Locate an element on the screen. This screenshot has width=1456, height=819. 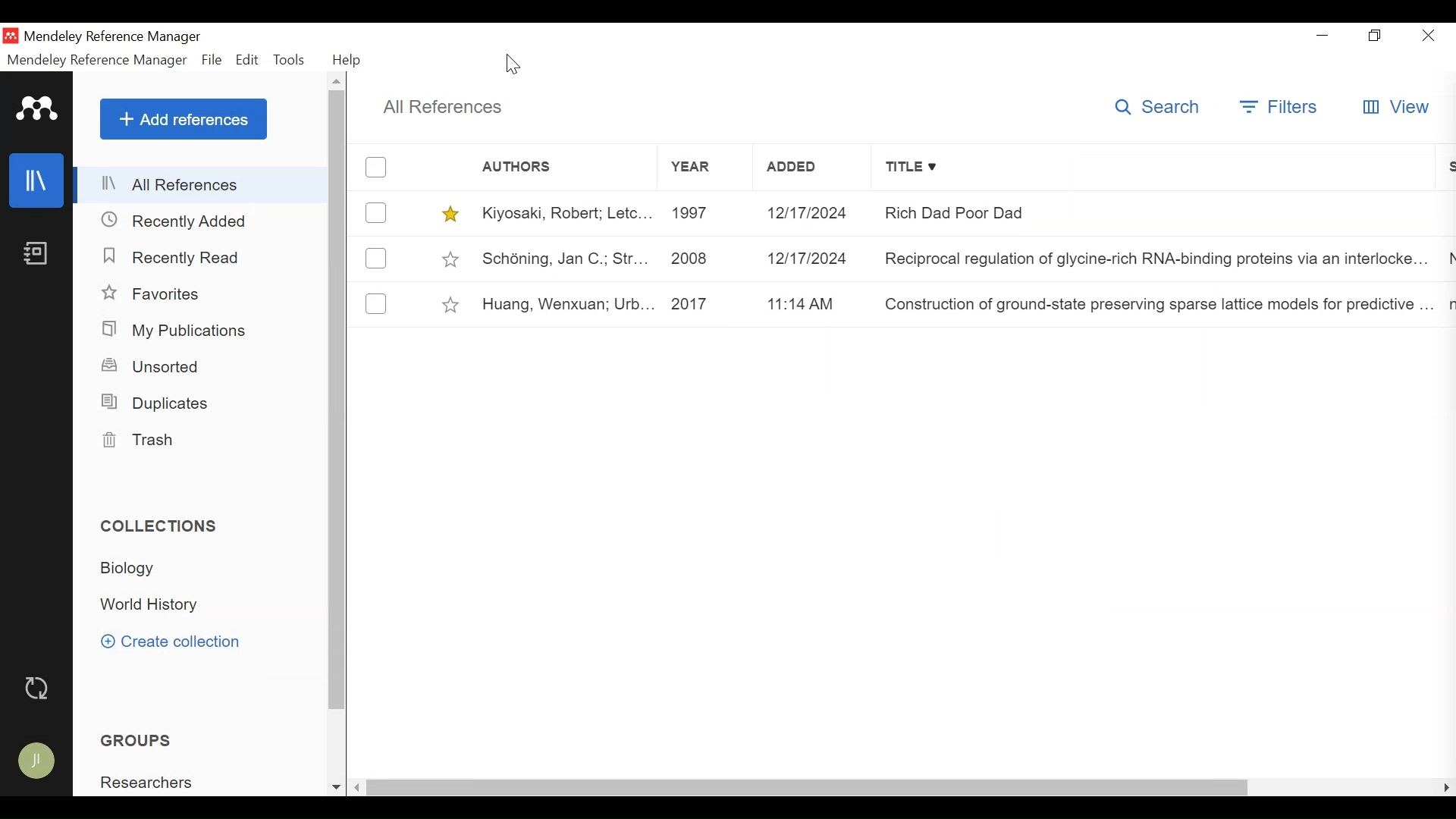
Author is located at coordinates (540, 169).